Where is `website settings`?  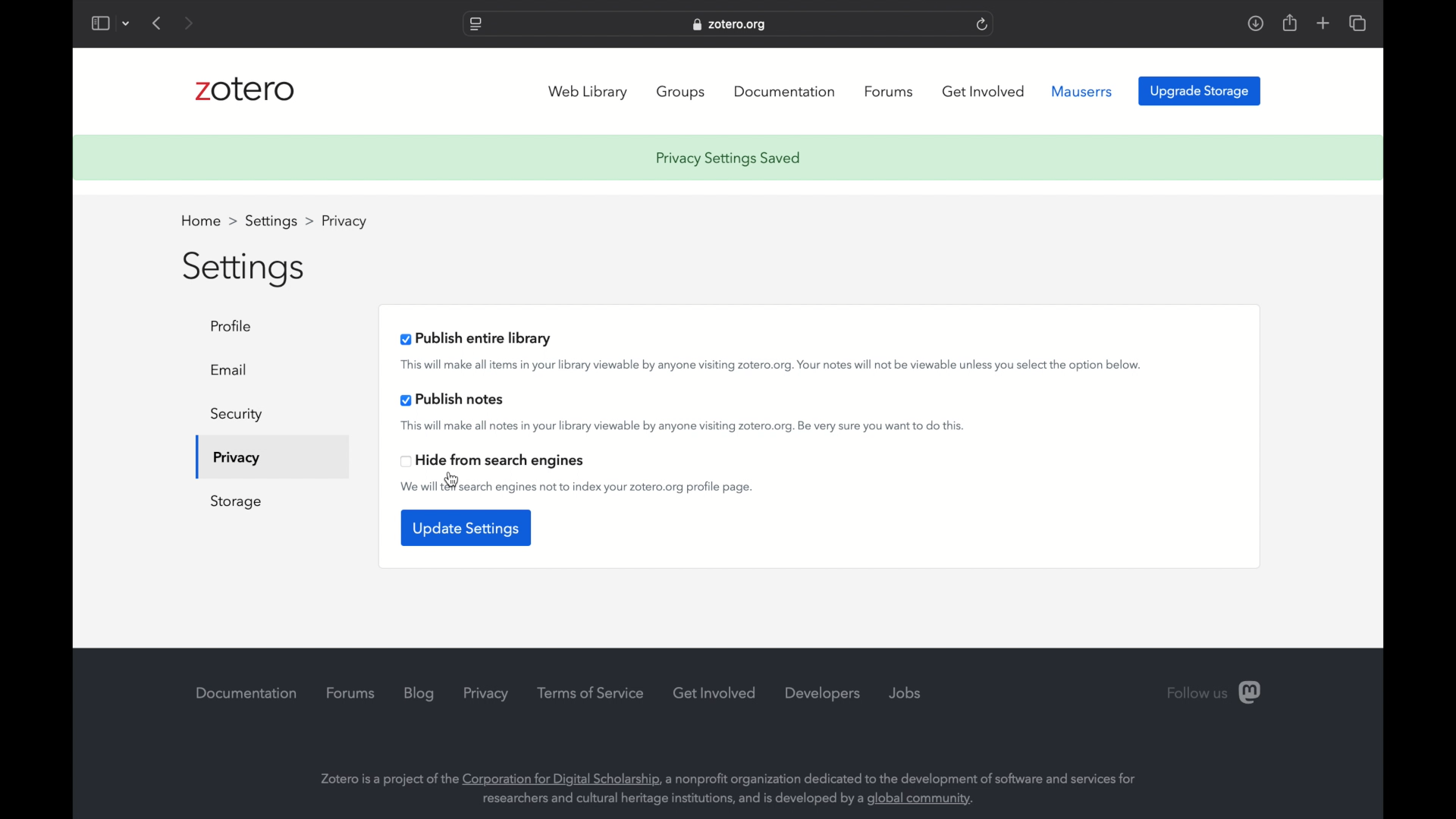 website settings is located at coordinates (474, 25).